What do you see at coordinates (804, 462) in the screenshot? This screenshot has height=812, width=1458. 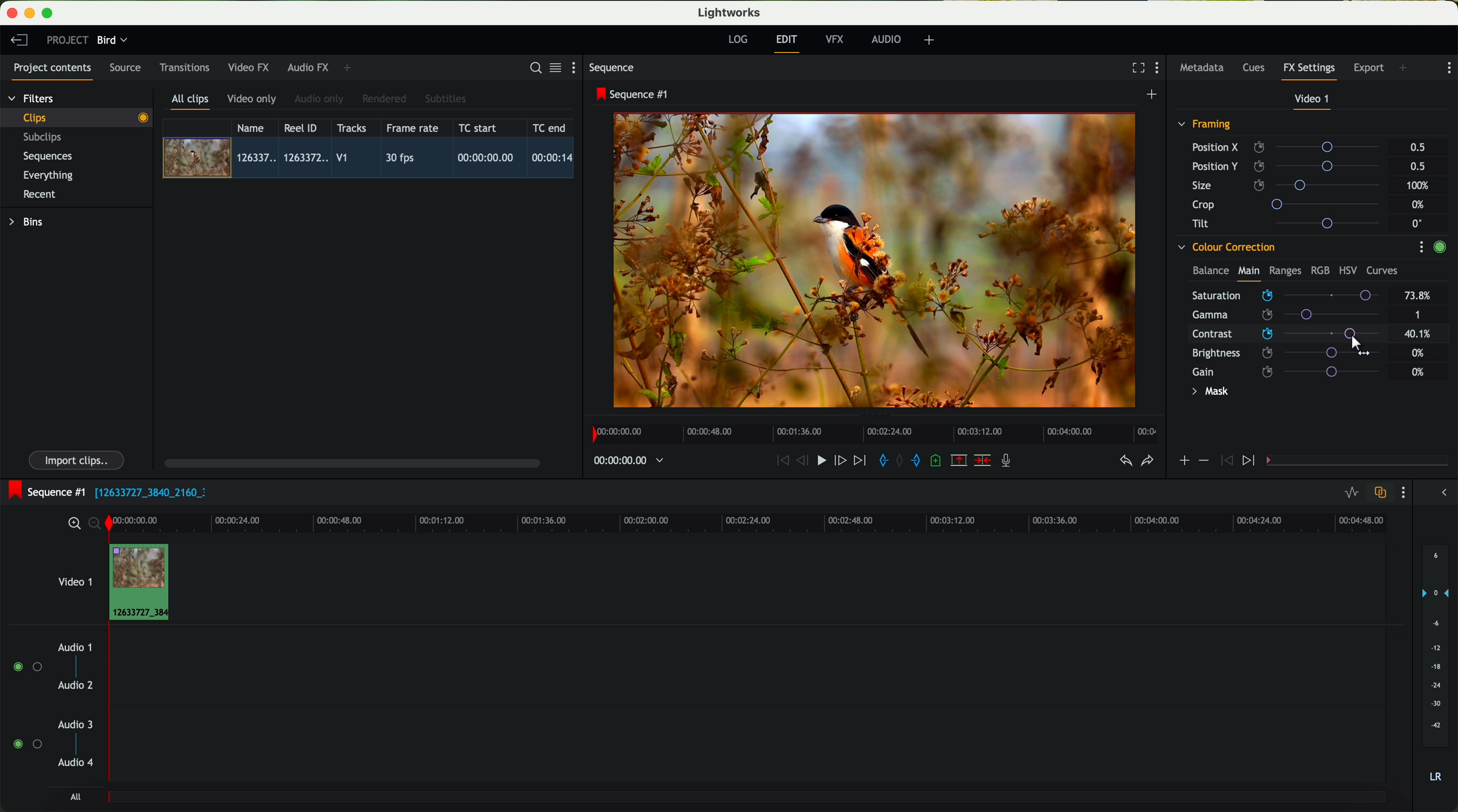 I see `nudge one frame back` at bounding box center [804, 462].